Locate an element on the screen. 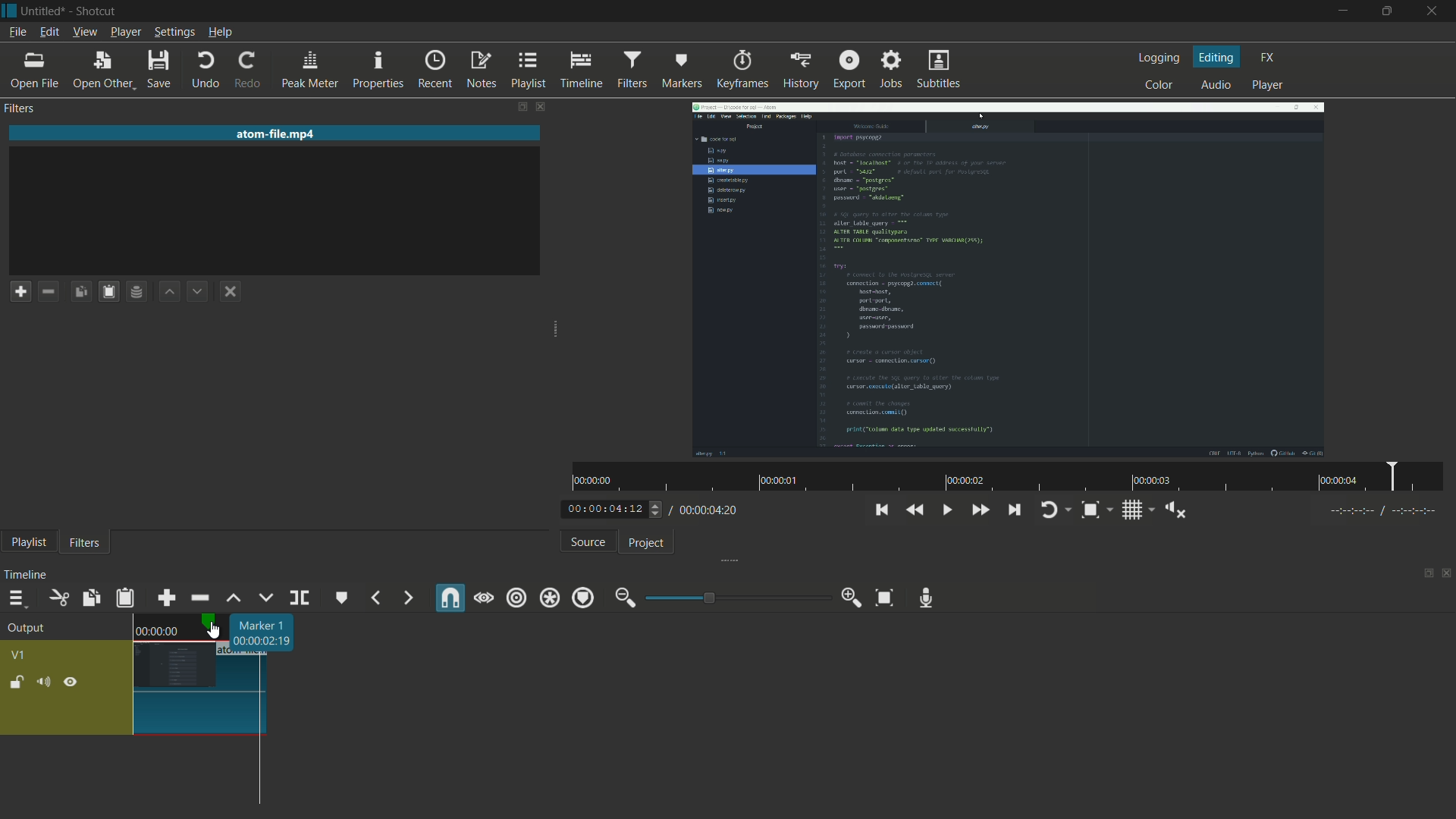 The height and width of the screenshot is (819, 1456). playlist is located at coordinates (27, 542).